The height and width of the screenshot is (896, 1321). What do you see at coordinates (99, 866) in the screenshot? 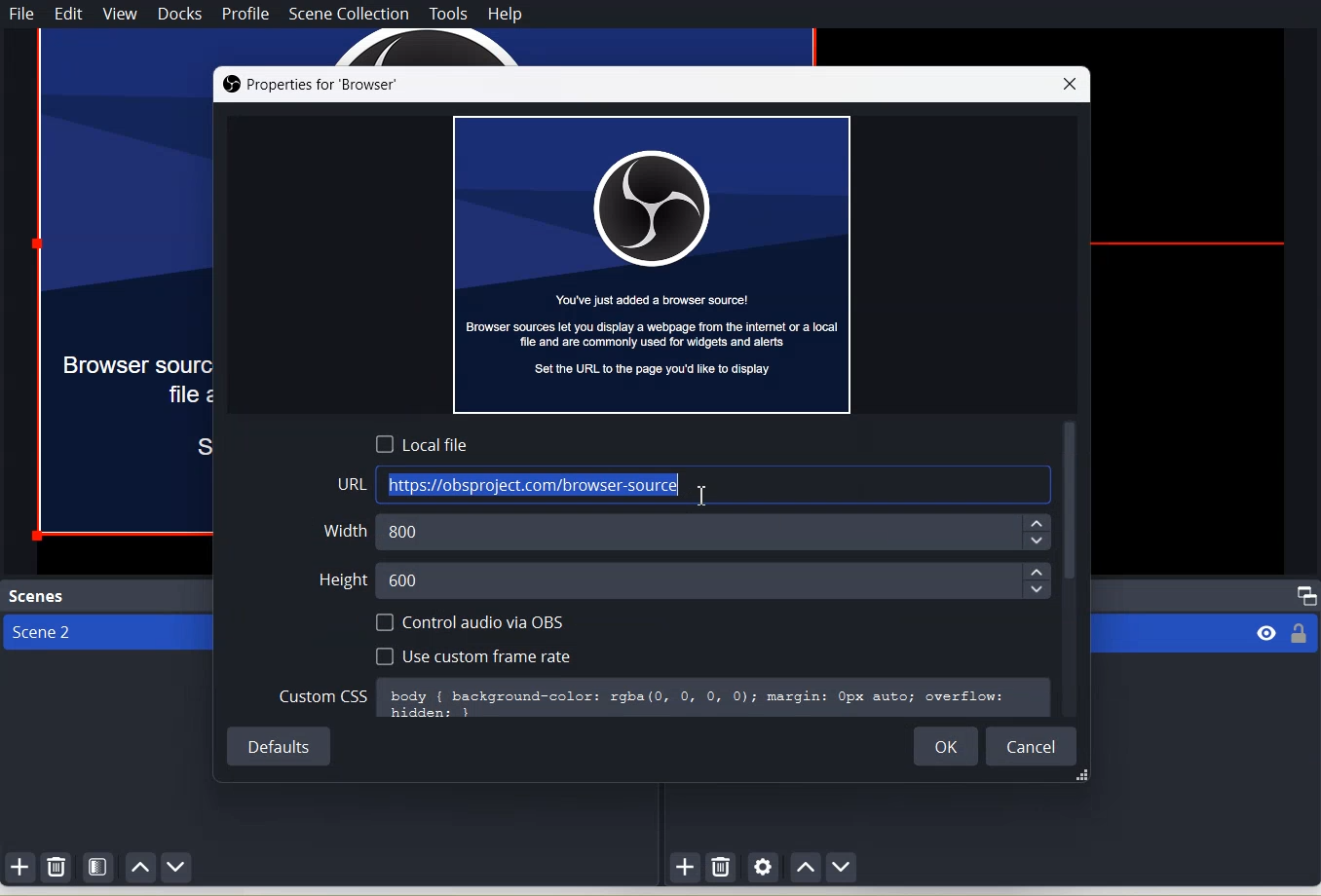
I see `Open Scene Filter` at bounding box center [99, 866].